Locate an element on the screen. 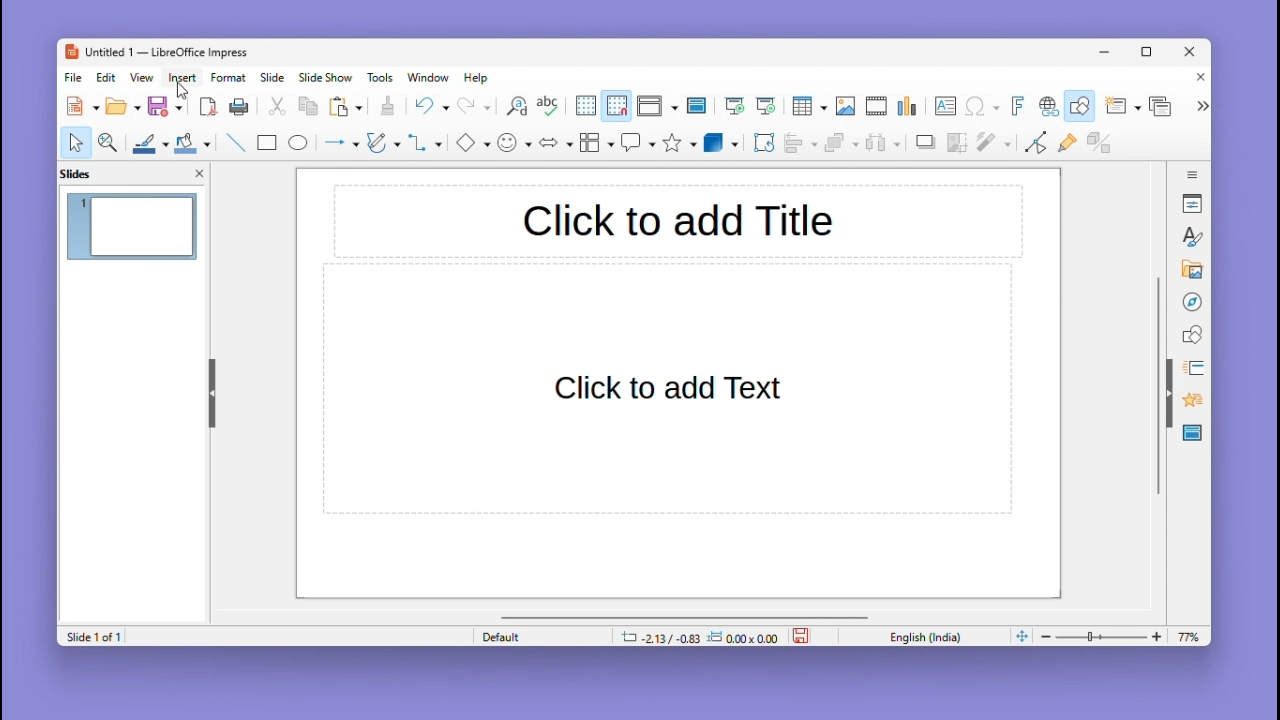 This screenshot has width=1280, height=720. Styles is located at coordinates (1194, 236).